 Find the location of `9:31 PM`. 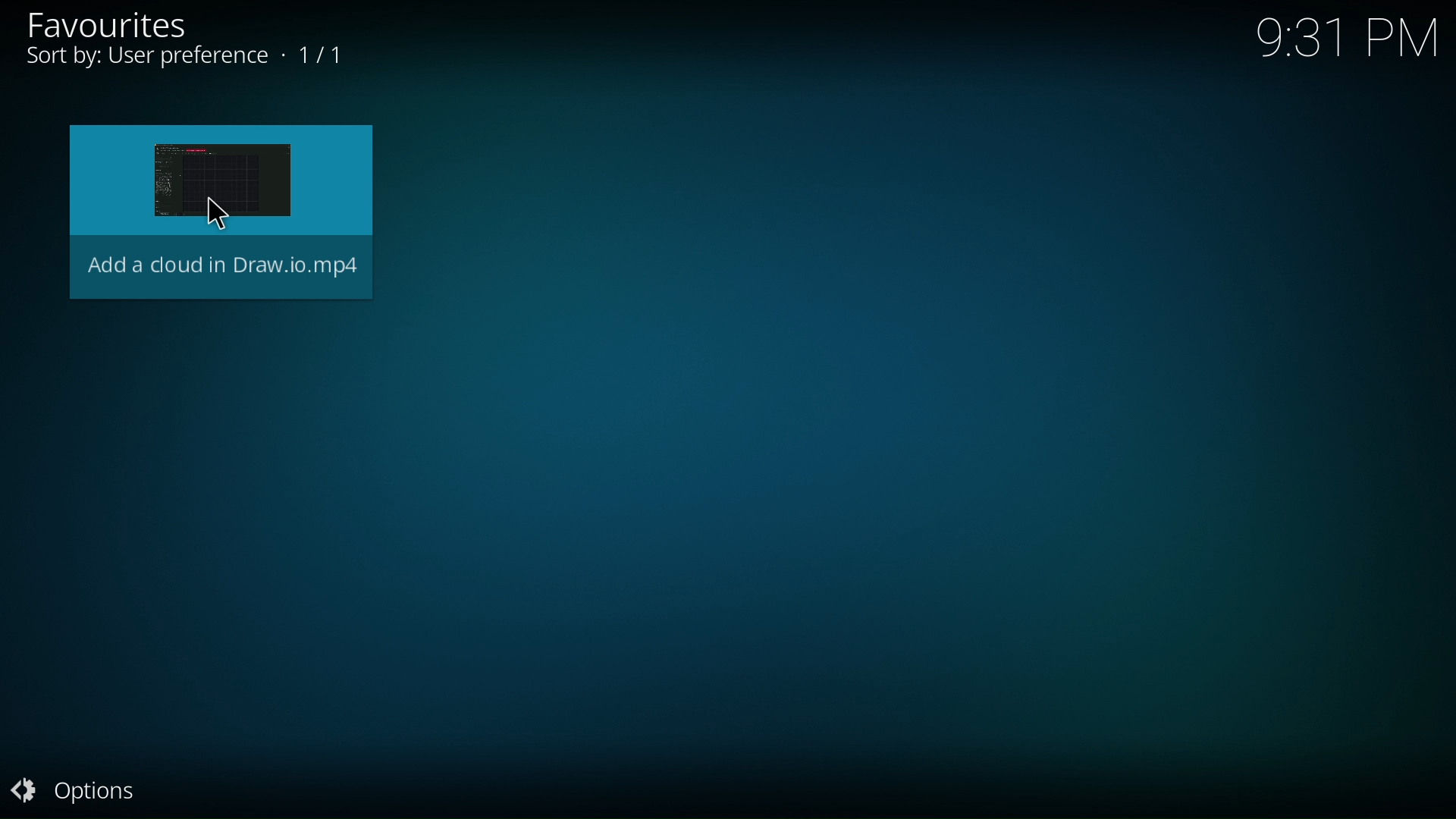

9:31 PM is located at coordinates (1347, 40).